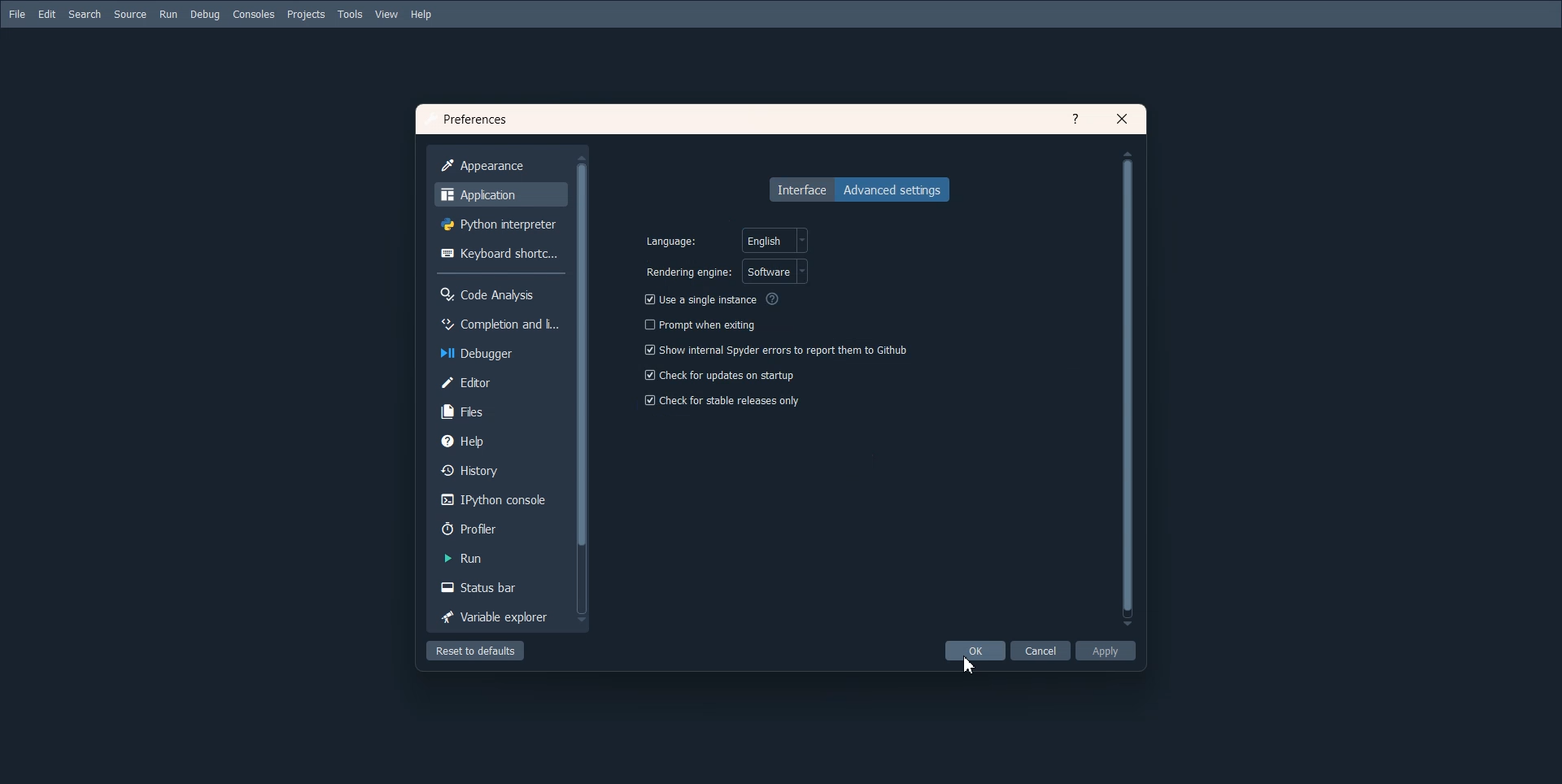  Describe the element at coordinates (473, 119) in the screenshot. I see `Text` at that location.